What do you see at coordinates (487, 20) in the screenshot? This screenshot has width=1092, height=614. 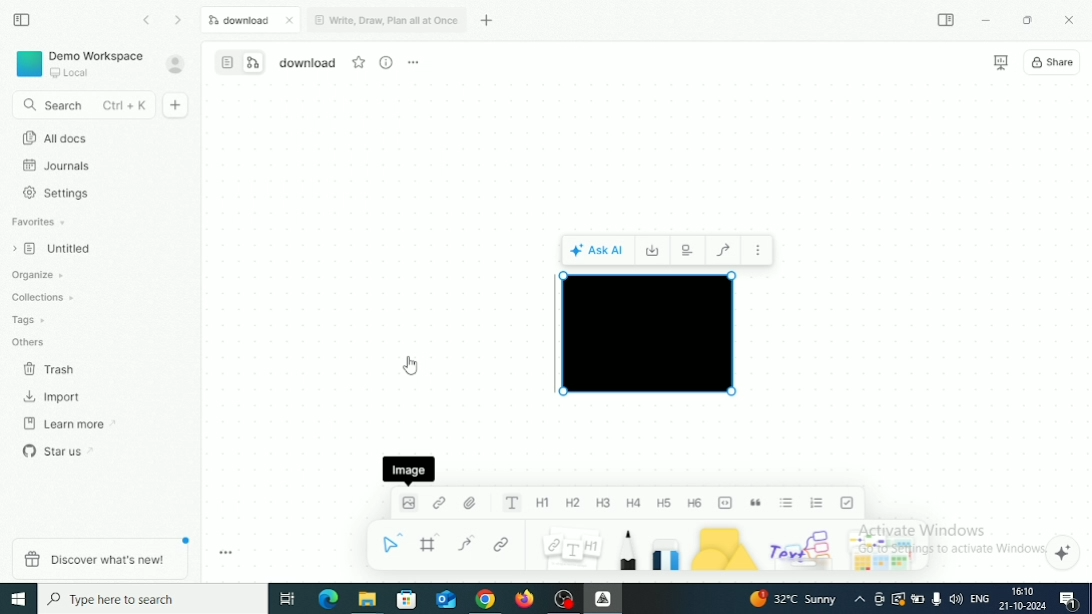 I see `New tab` at bounding box center [487, 20].